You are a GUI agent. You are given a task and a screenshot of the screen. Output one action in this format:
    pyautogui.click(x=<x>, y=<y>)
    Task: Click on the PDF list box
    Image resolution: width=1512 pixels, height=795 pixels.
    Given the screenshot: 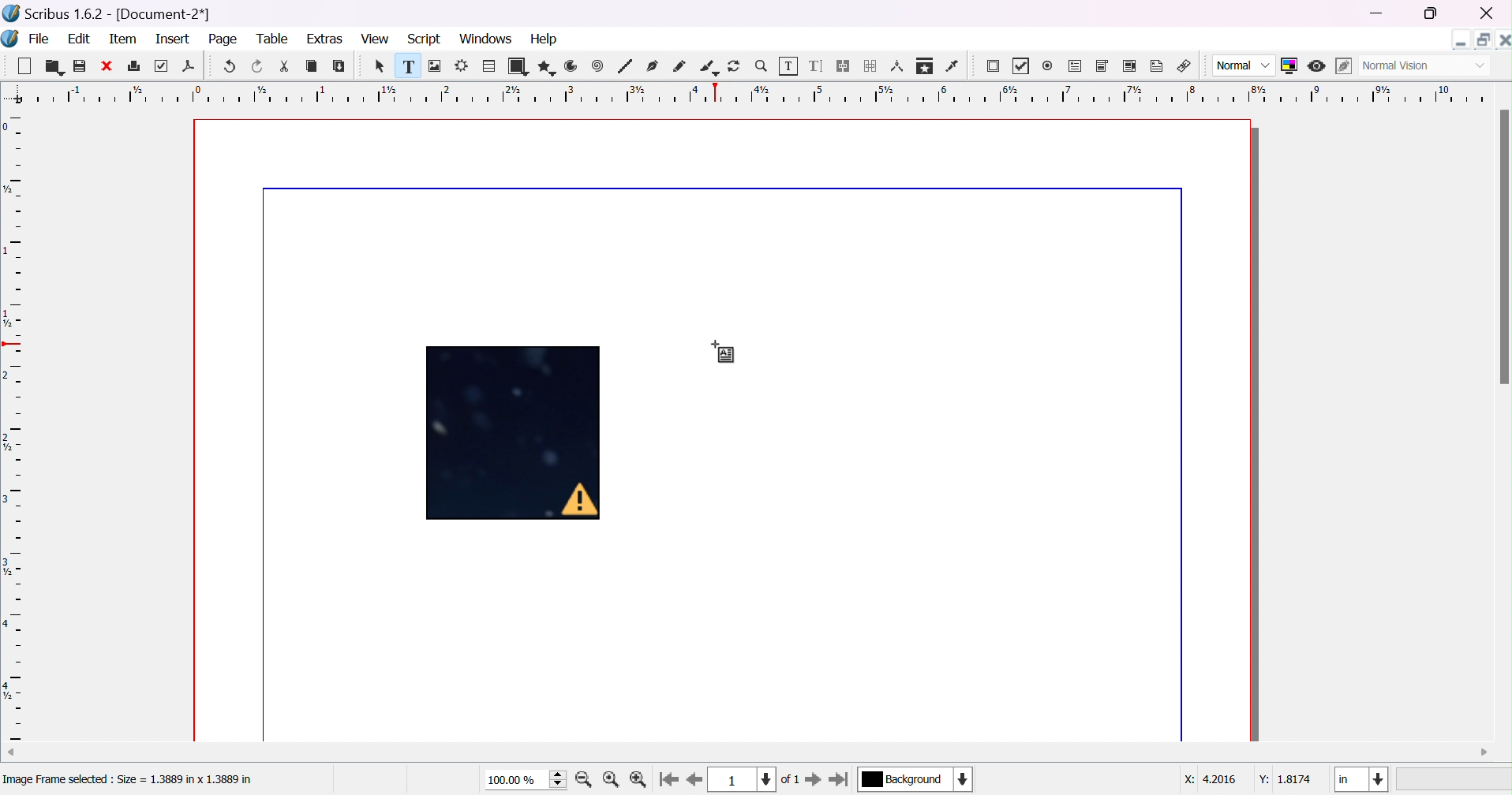 What is the action you would take?
    pyautogui.click(x=1128, y=65)
    